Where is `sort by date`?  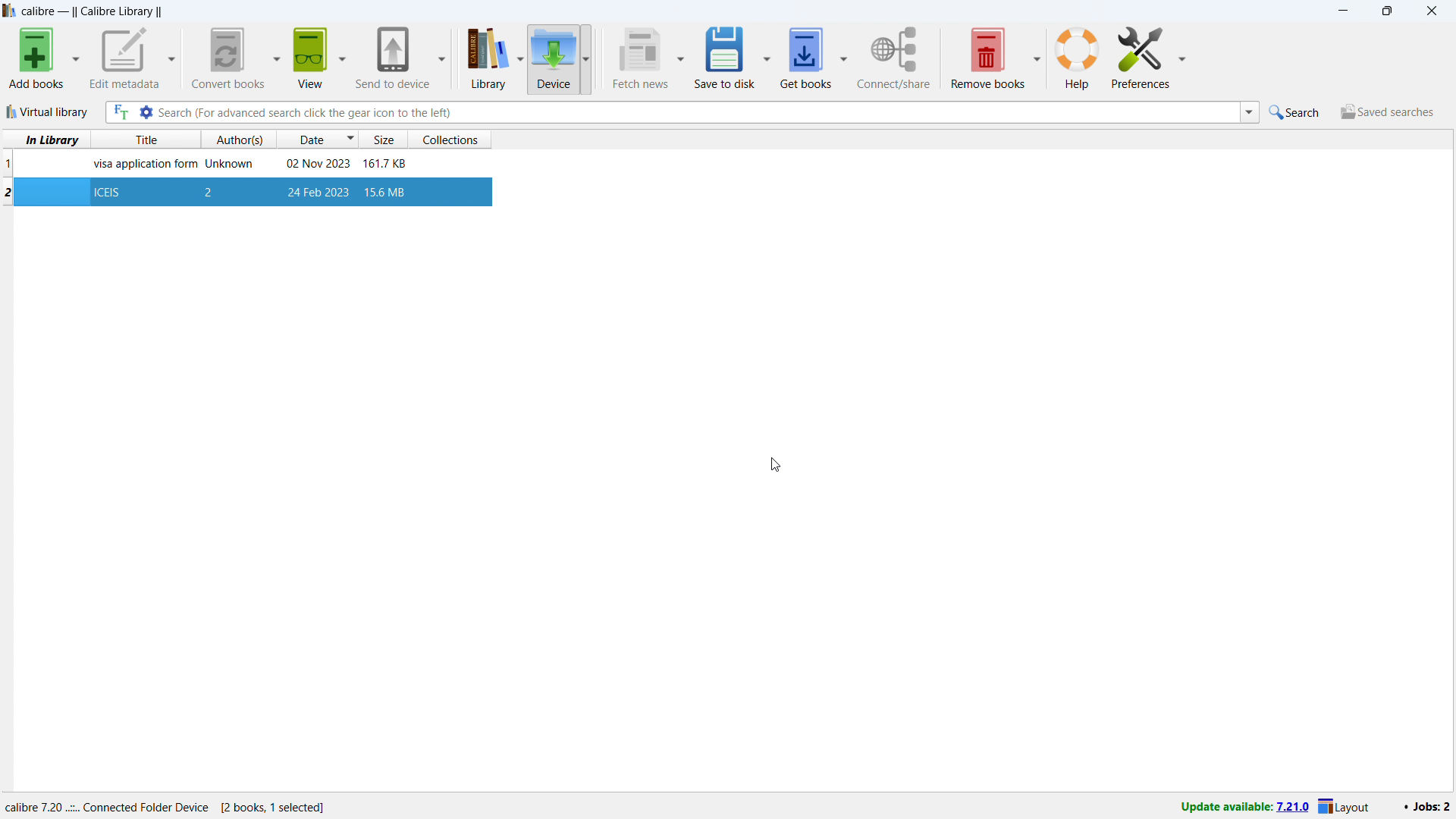
sort by date is located at coordinates (318, 139).